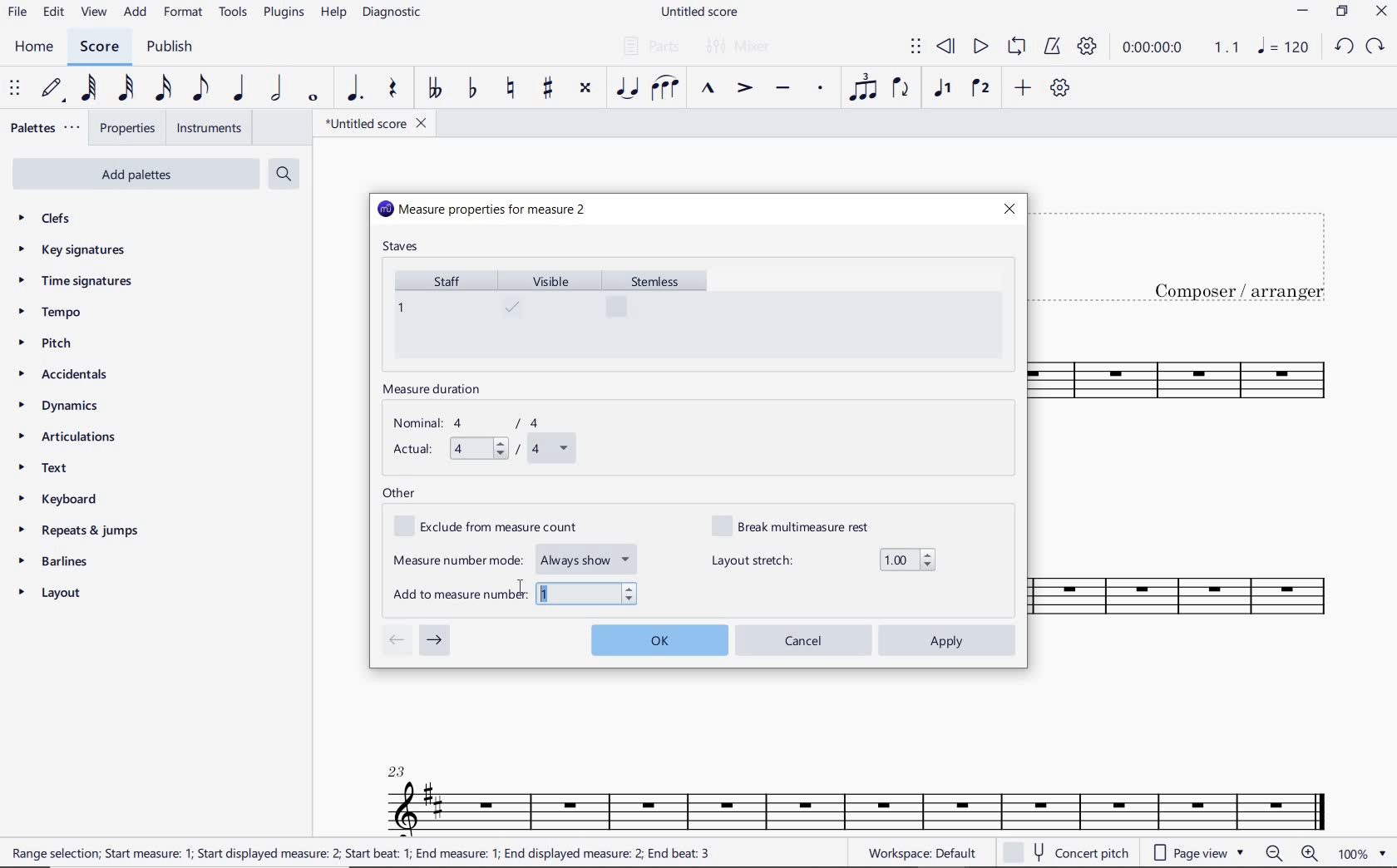  I want to click on AUGMENTATION DOT, so click(357, 89).